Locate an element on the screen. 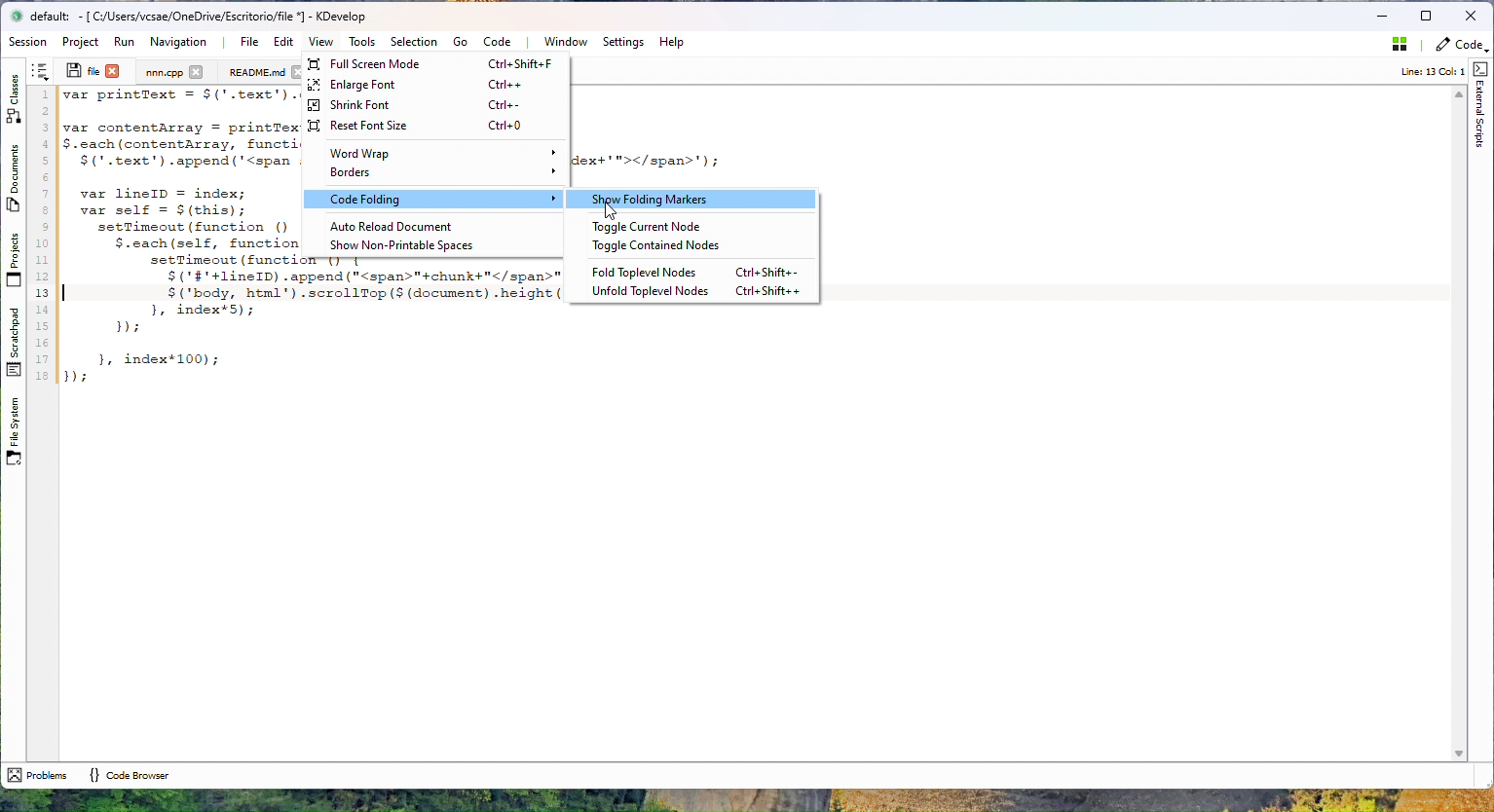 The height and width of the screenshot is (812, 1494). Code Folding is located at coordinates (435, 199).